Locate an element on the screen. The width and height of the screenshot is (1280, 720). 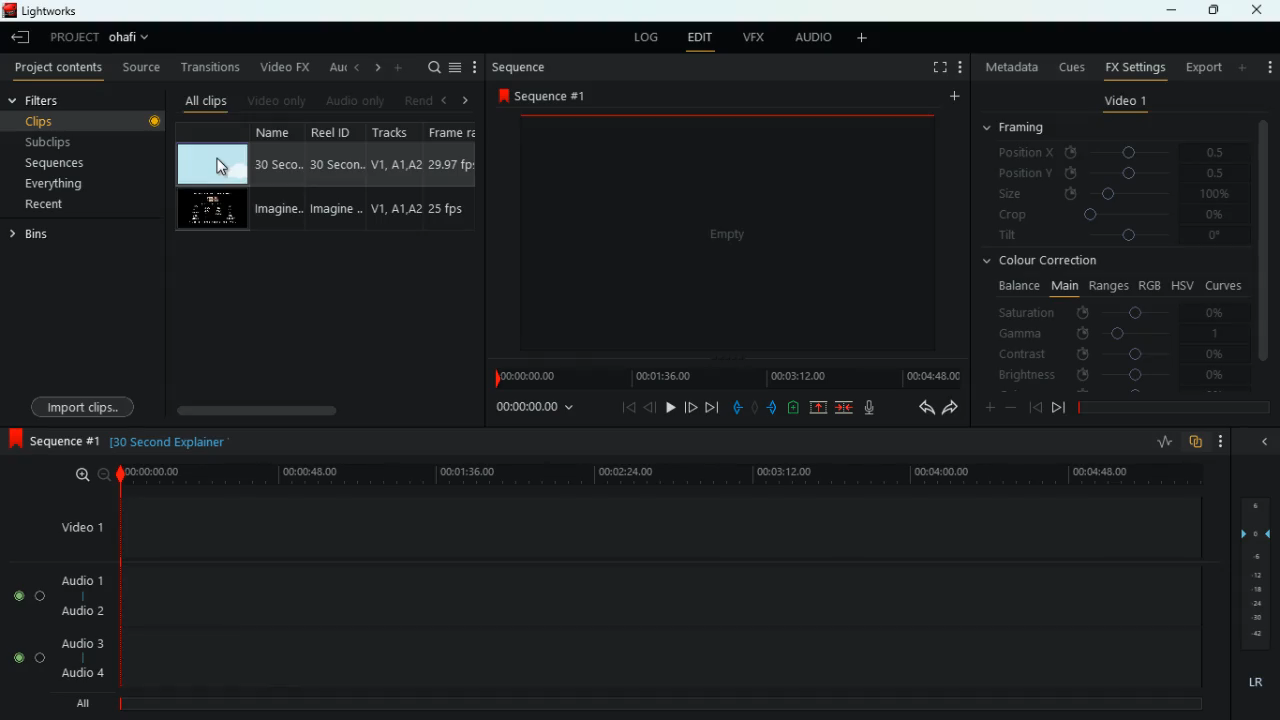
edit is located at coordinates (700, 38).